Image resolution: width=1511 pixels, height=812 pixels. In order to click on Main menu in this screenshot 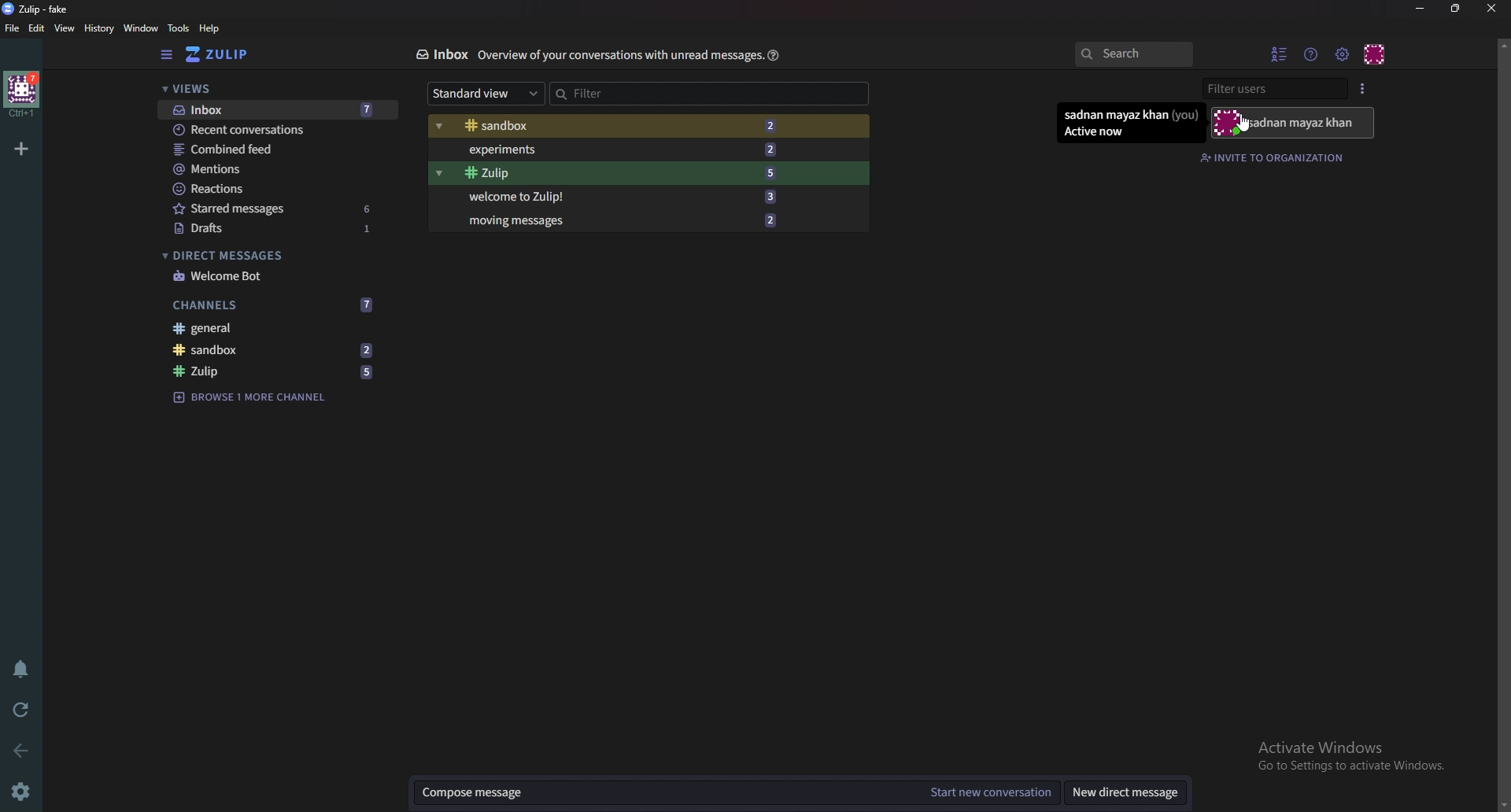, I will do `click(1341, 53)`.